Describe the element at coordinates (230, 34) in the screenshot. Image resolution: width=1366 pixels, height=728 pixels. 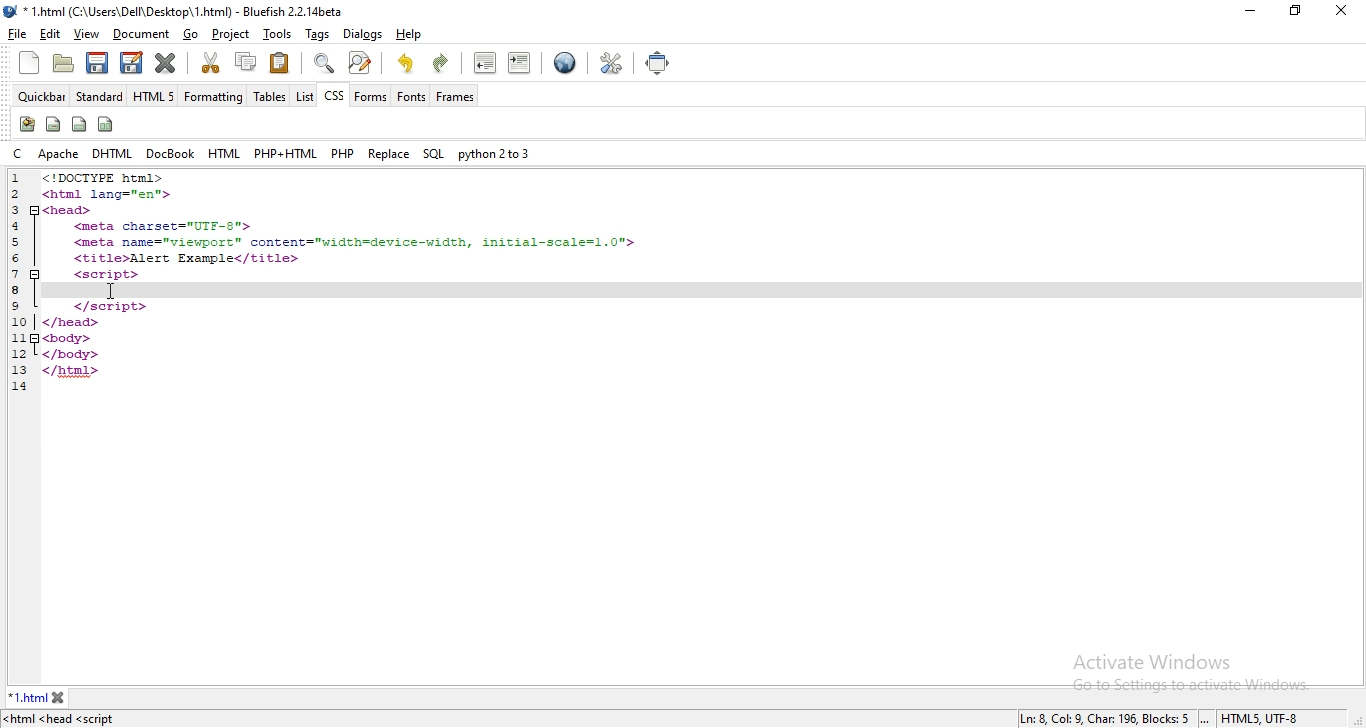
I see `project` at that location.